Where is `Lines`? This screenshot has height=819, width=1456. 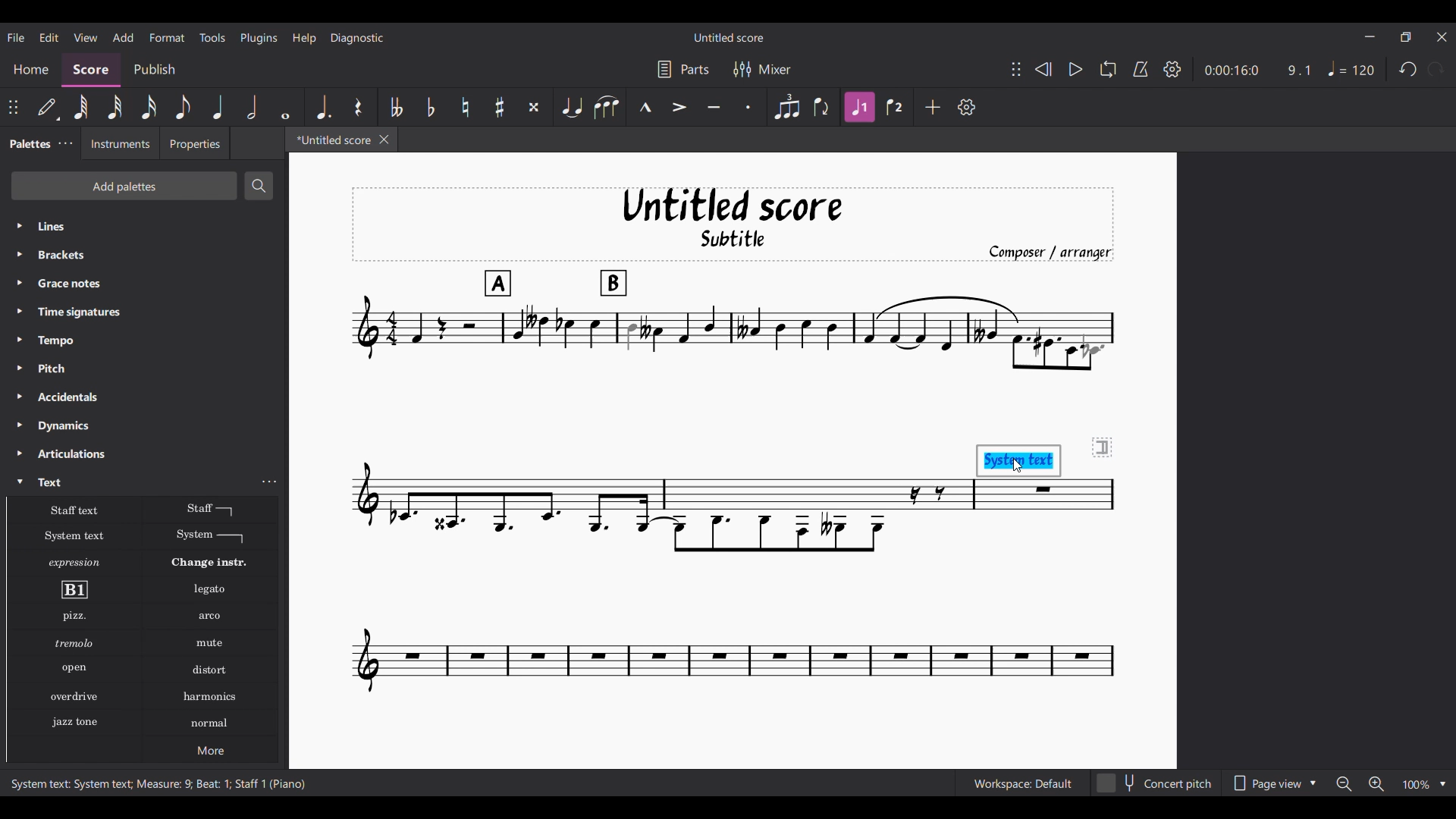 Lines is located at coordinates (144, 226).